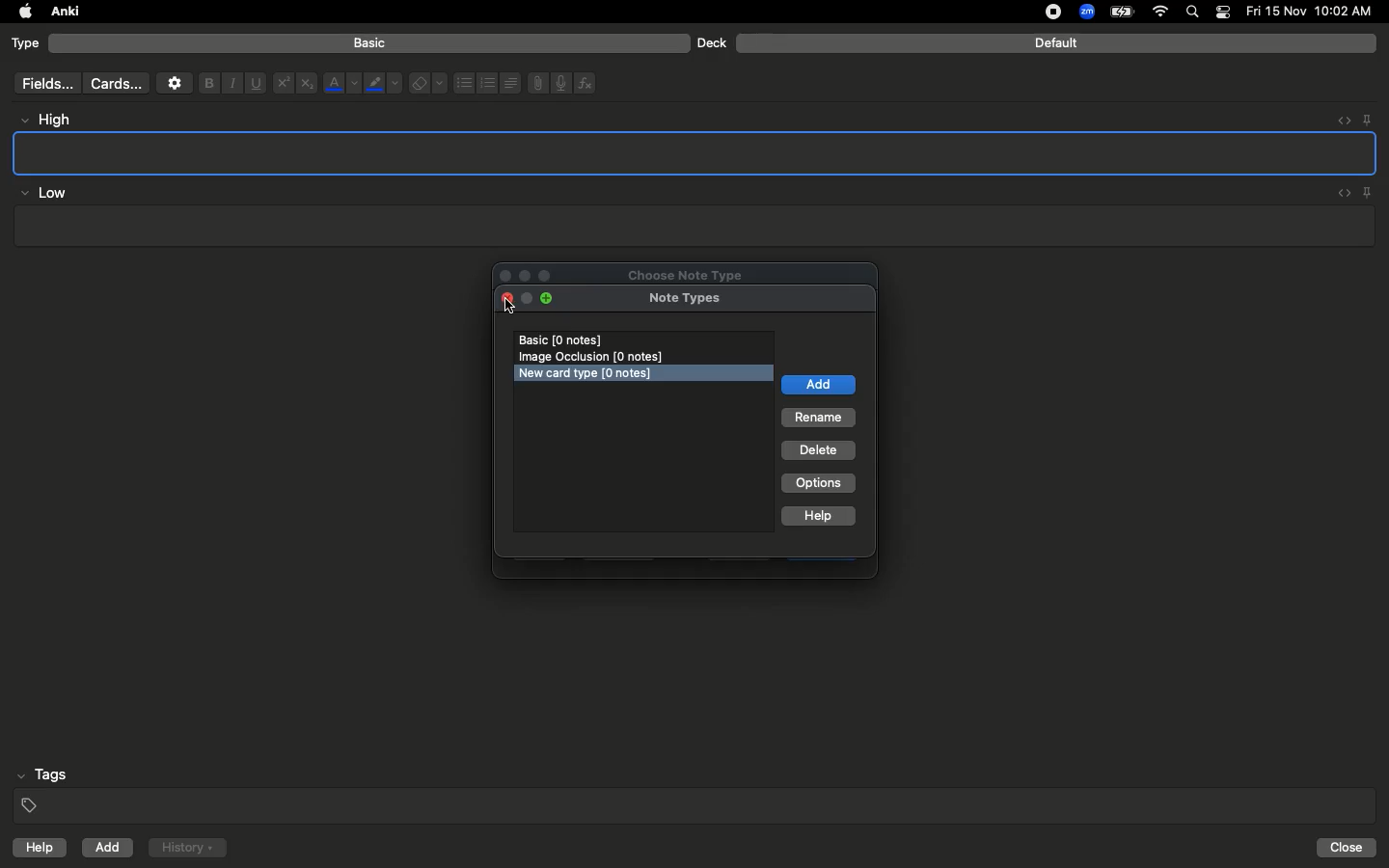 The height and width of the screenshot is (868, 1389). What do you see at coordinates (1162, 13) in the screenshot?
I see `Internet` at bounding box center [1162, 13].